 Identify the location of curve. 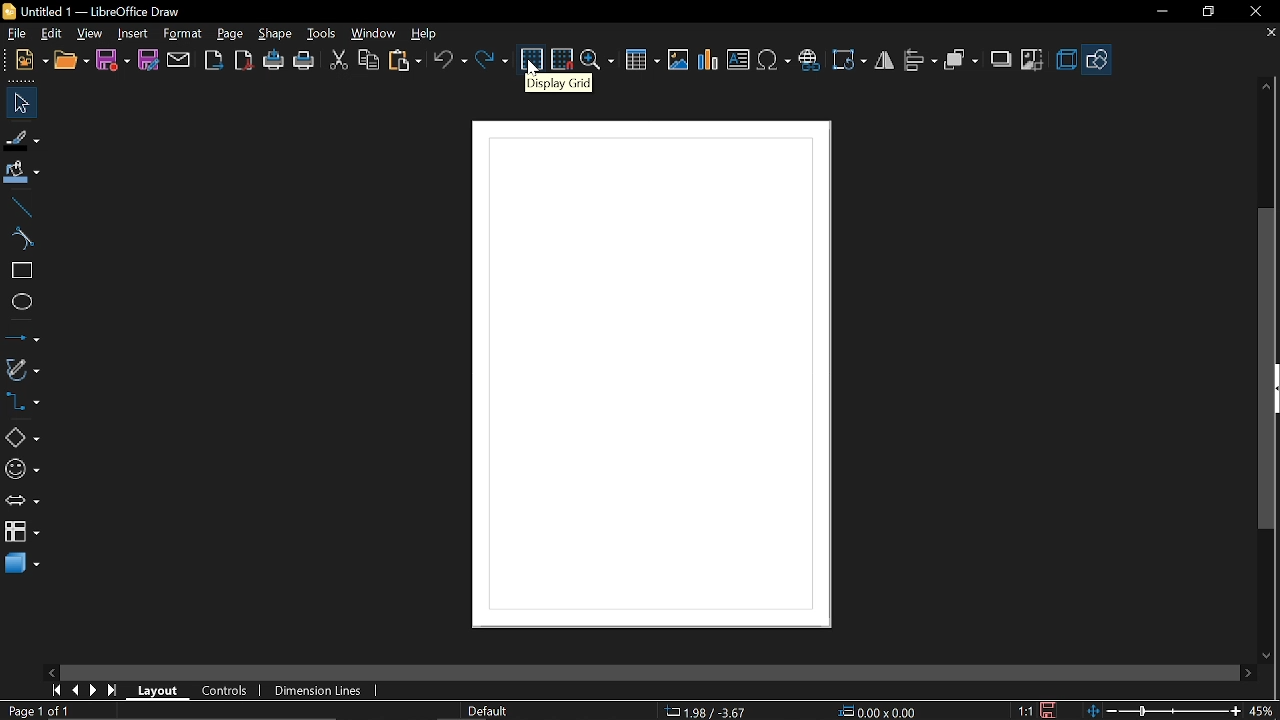
(21, 239).